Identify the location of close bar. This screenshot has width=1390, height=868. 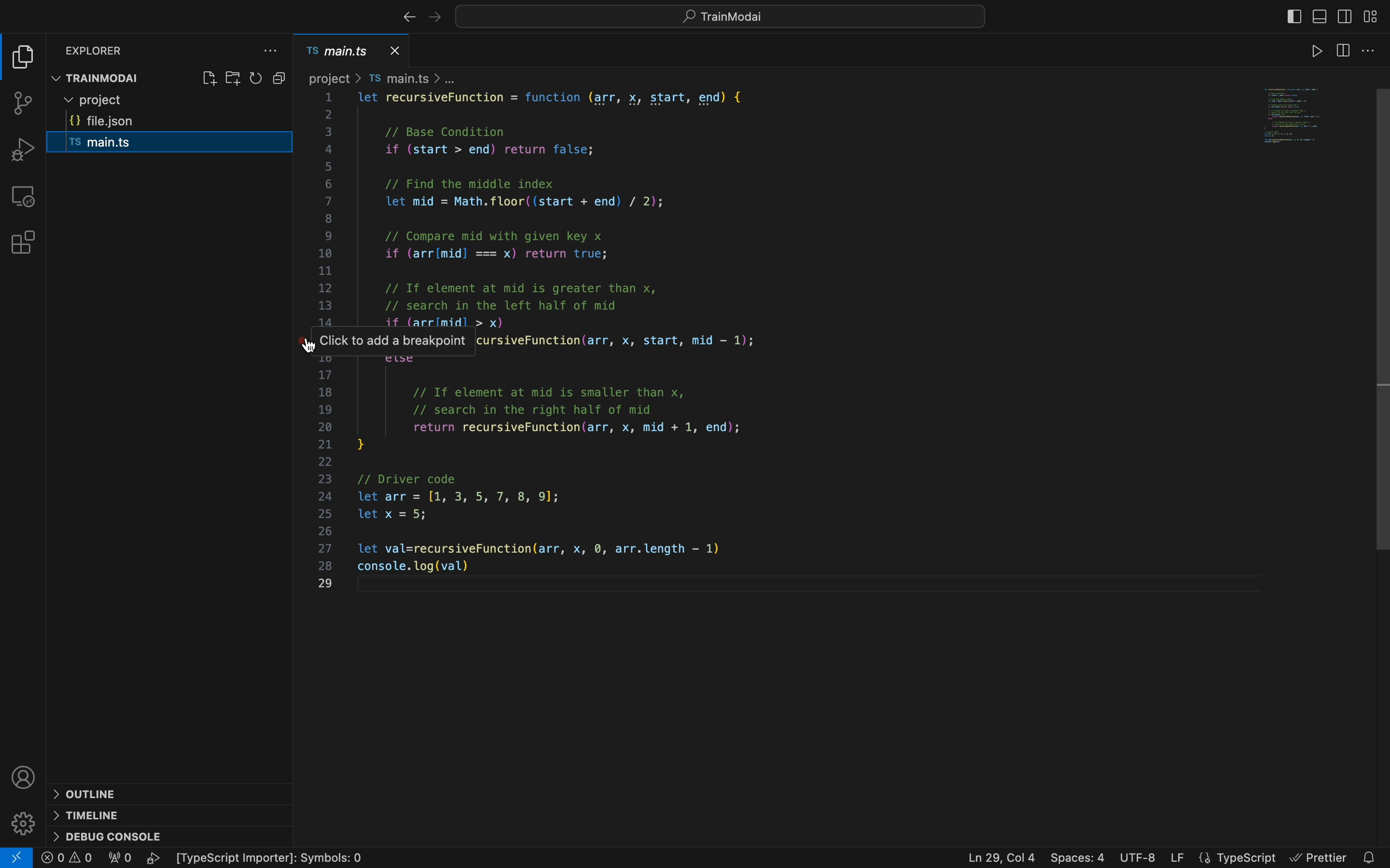
(1276, 14).